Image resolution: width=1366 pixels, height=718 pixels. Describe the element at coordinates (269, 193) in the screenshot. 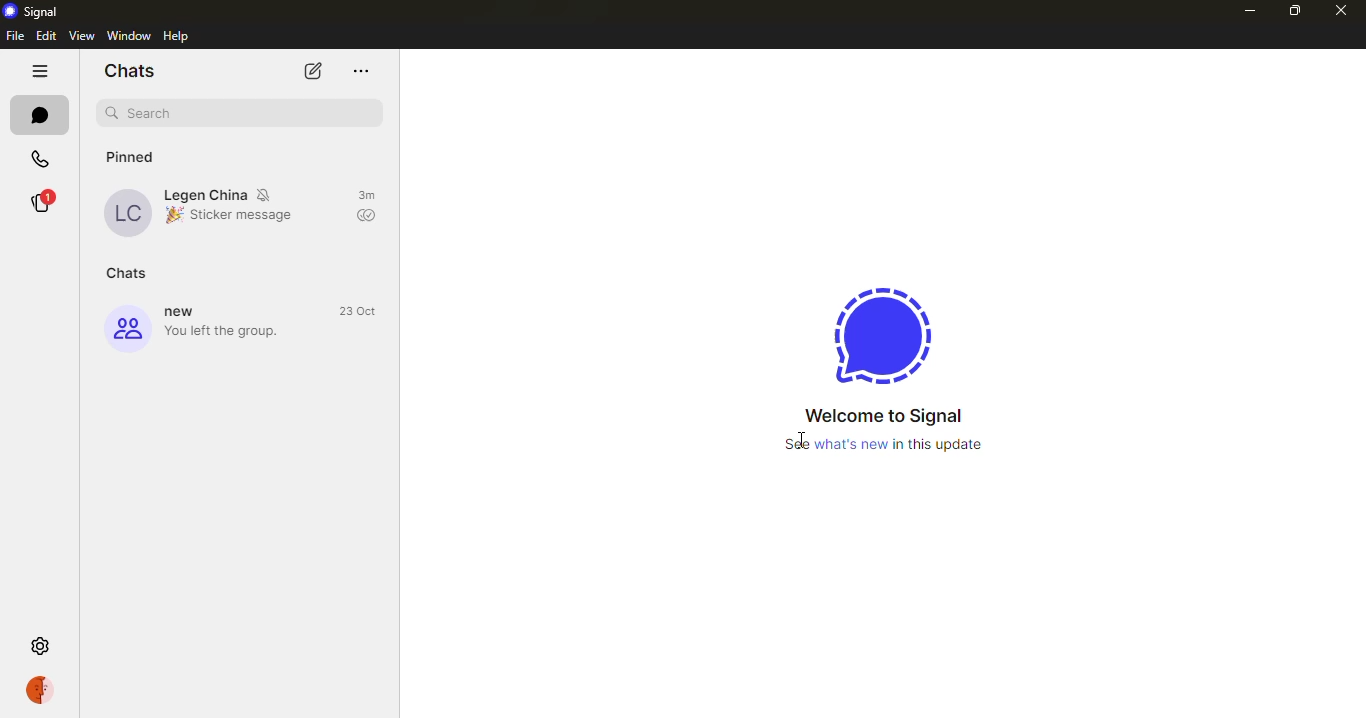

I see `mute notifications` at that location.